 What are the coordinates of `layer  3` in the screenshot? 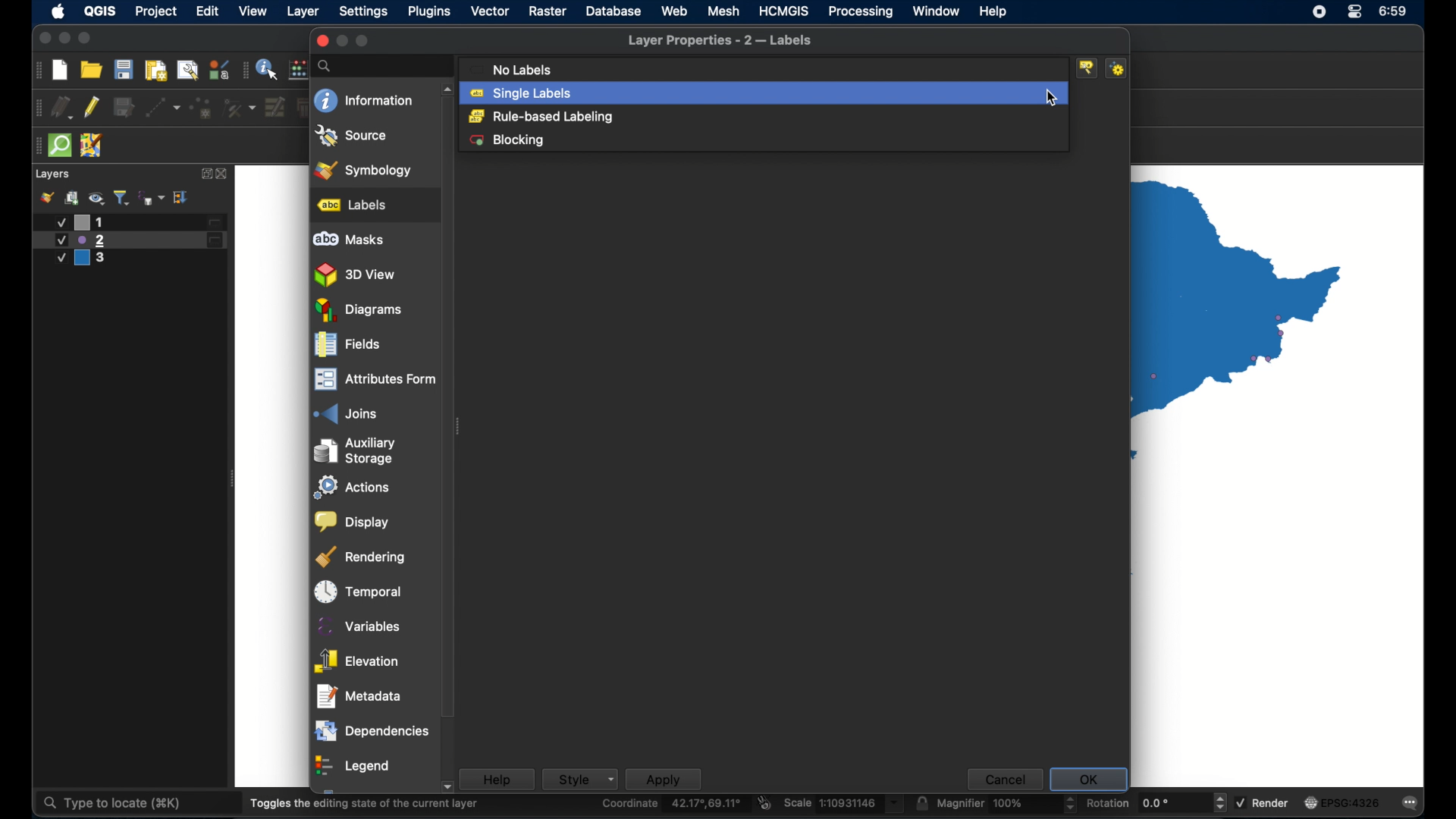 It's located at (89, 259).